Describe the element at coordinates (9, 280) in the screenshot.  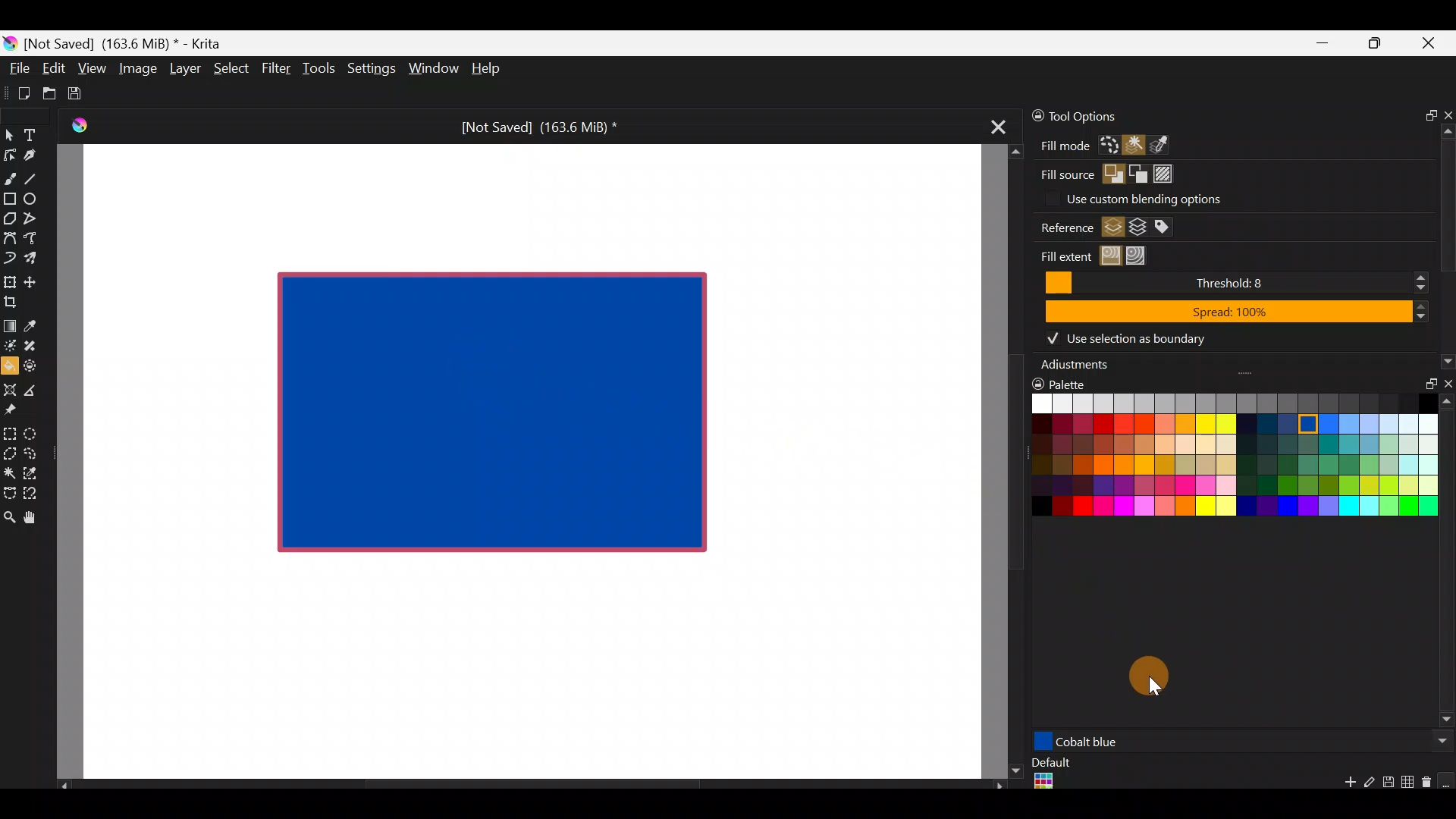
I see `Transform a layer/selection` at that location.